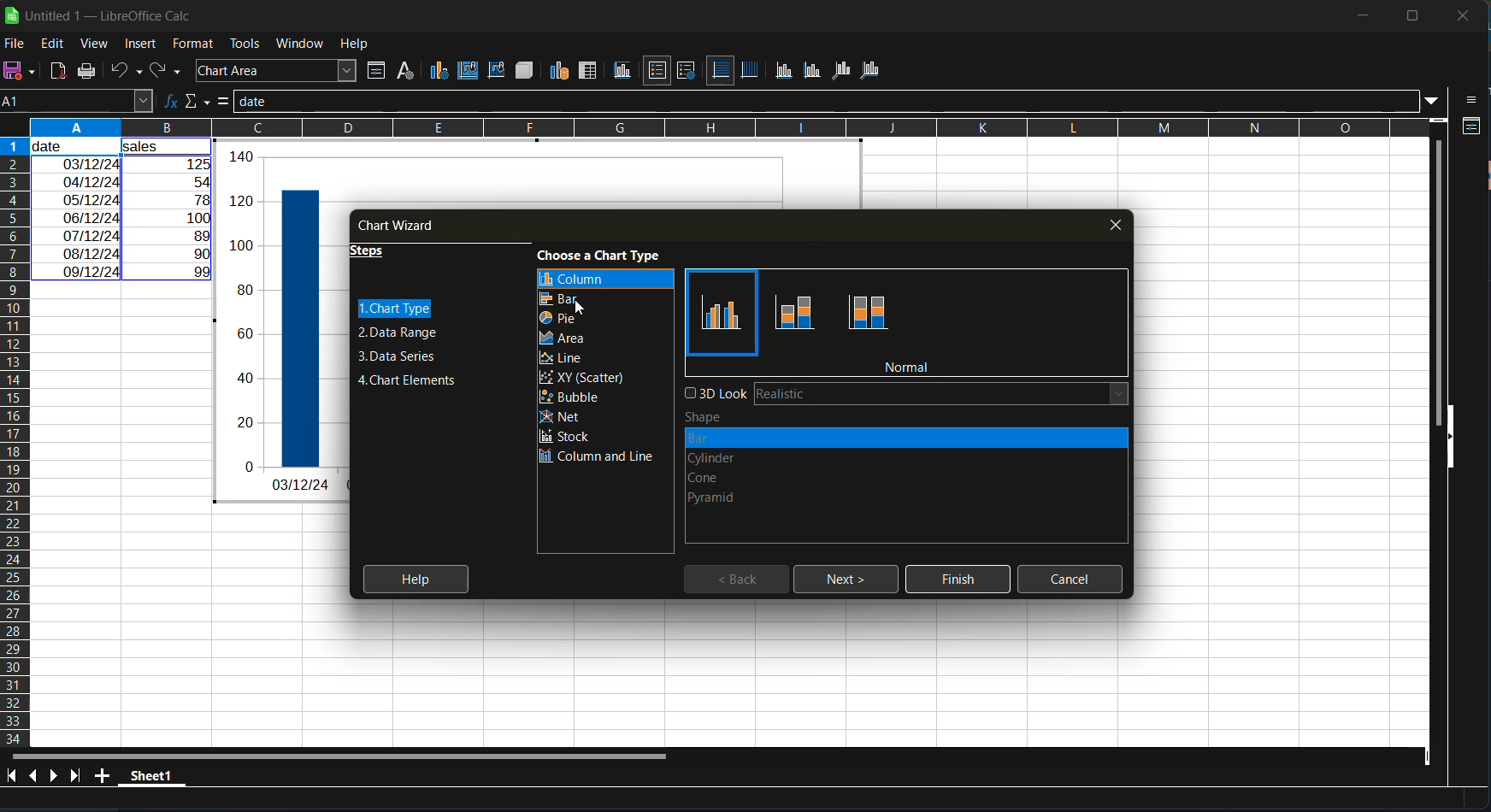 This screenshot has height=812, width=1491. What do you see at coordinates (56, 778) in the screenshot?
I see `scroll to next sheet` at bounding box center [56, 778].